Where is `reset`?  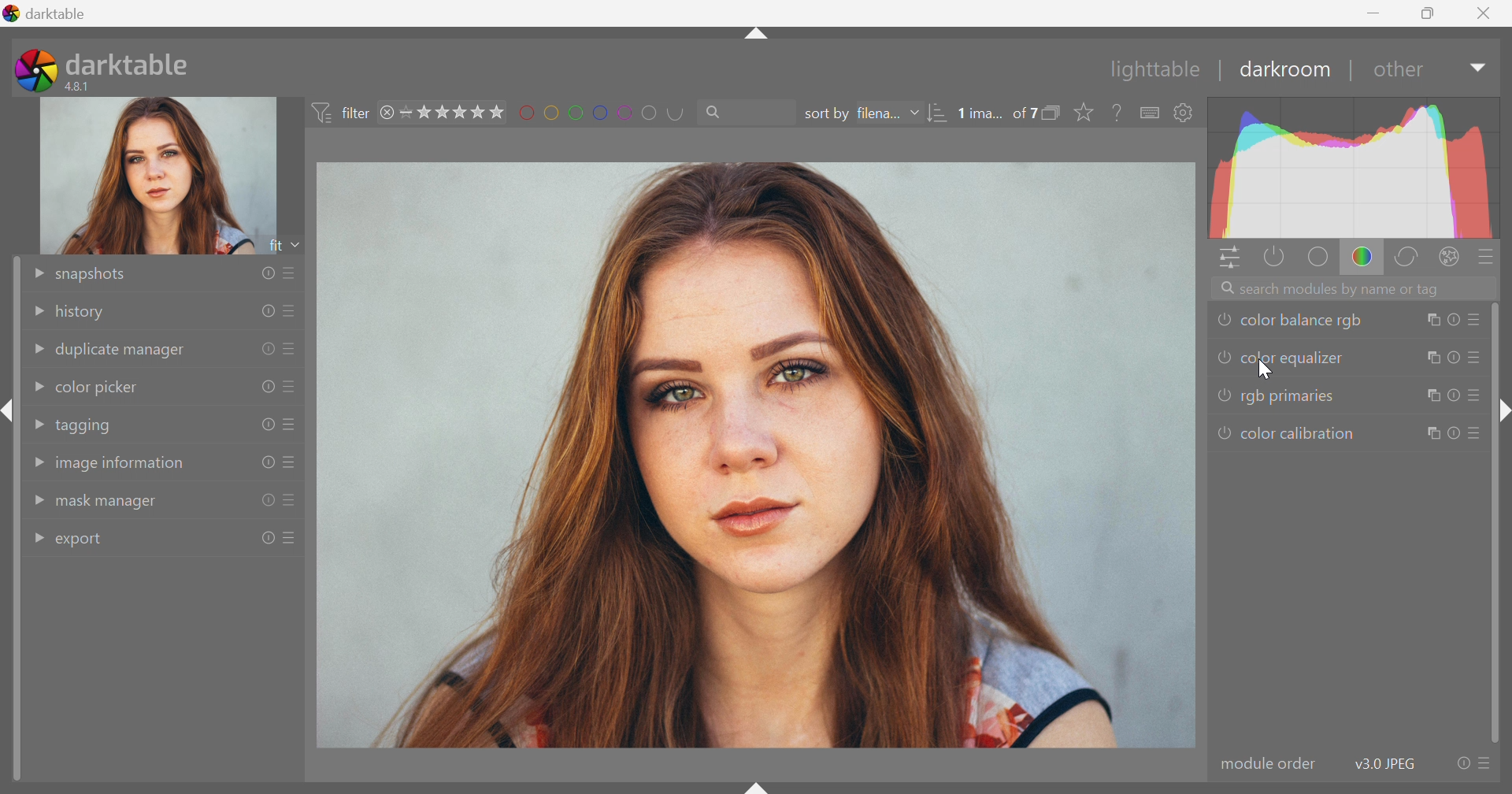 reset is located at coordinates (266, 423).